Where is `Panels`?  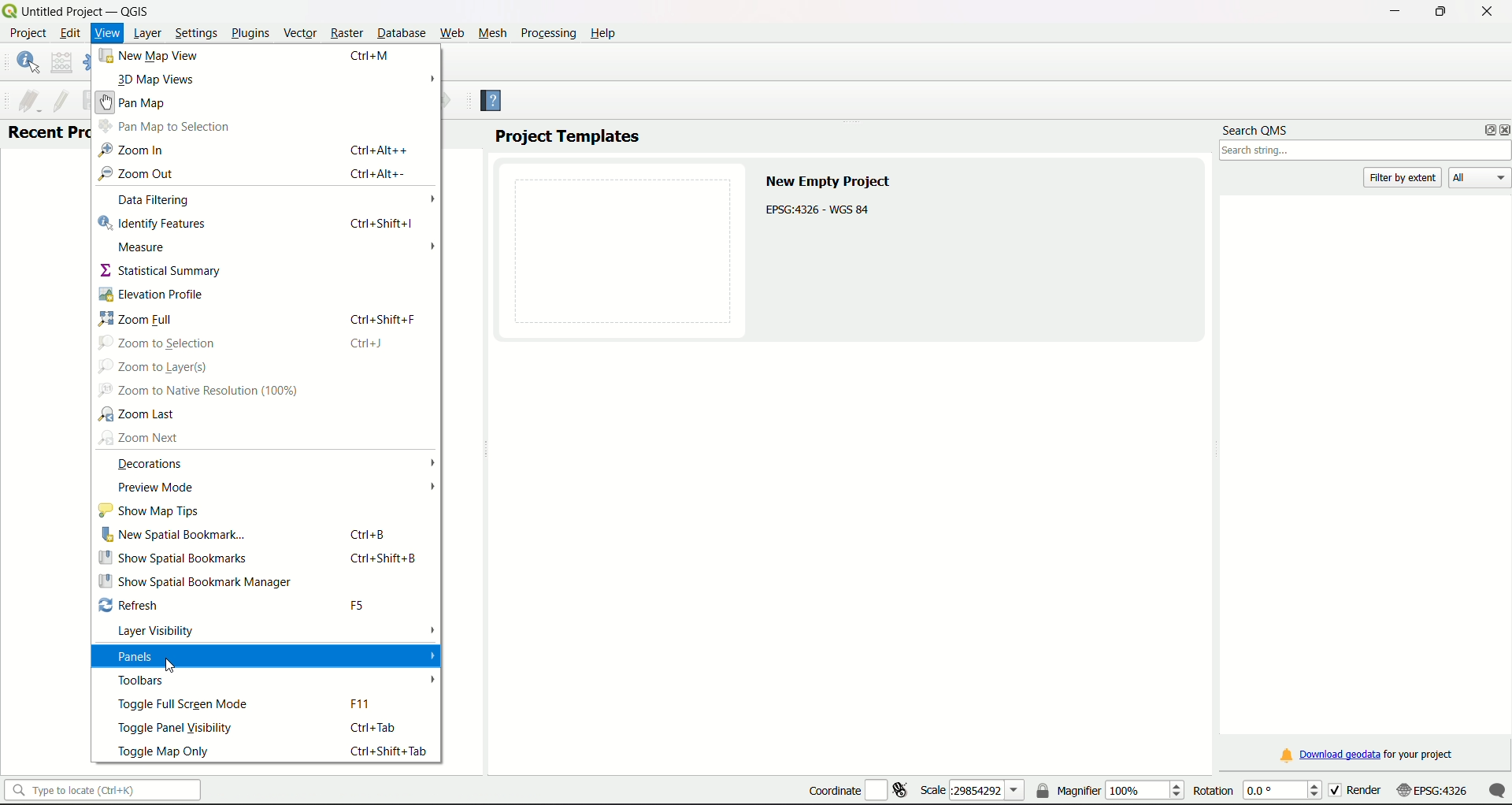 Panels is located at coordinates (135, 658).